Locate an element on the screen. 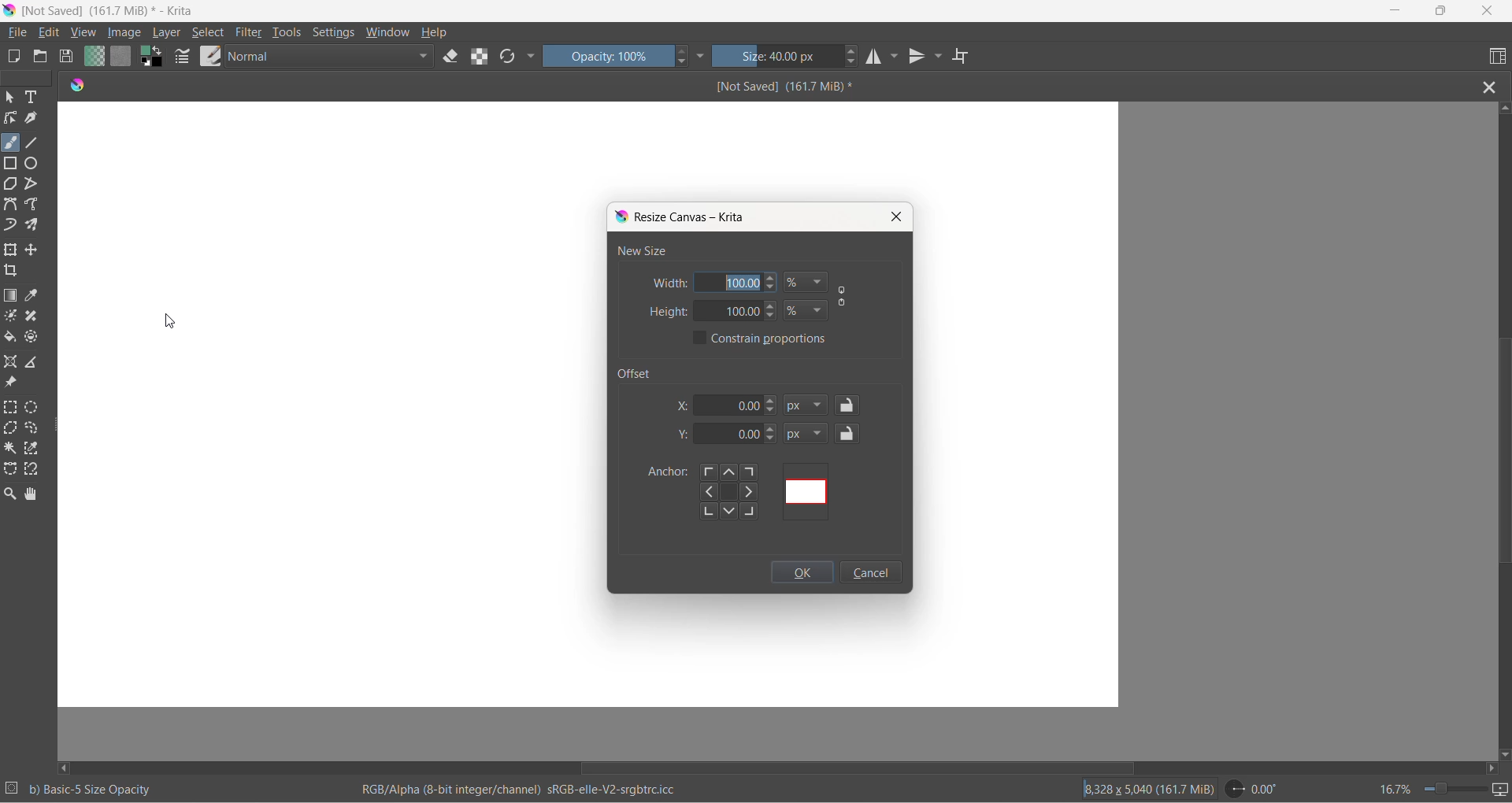 This screenshot has height=803, width=1512. enclose and fill tool is located at coordinates (30, 340).